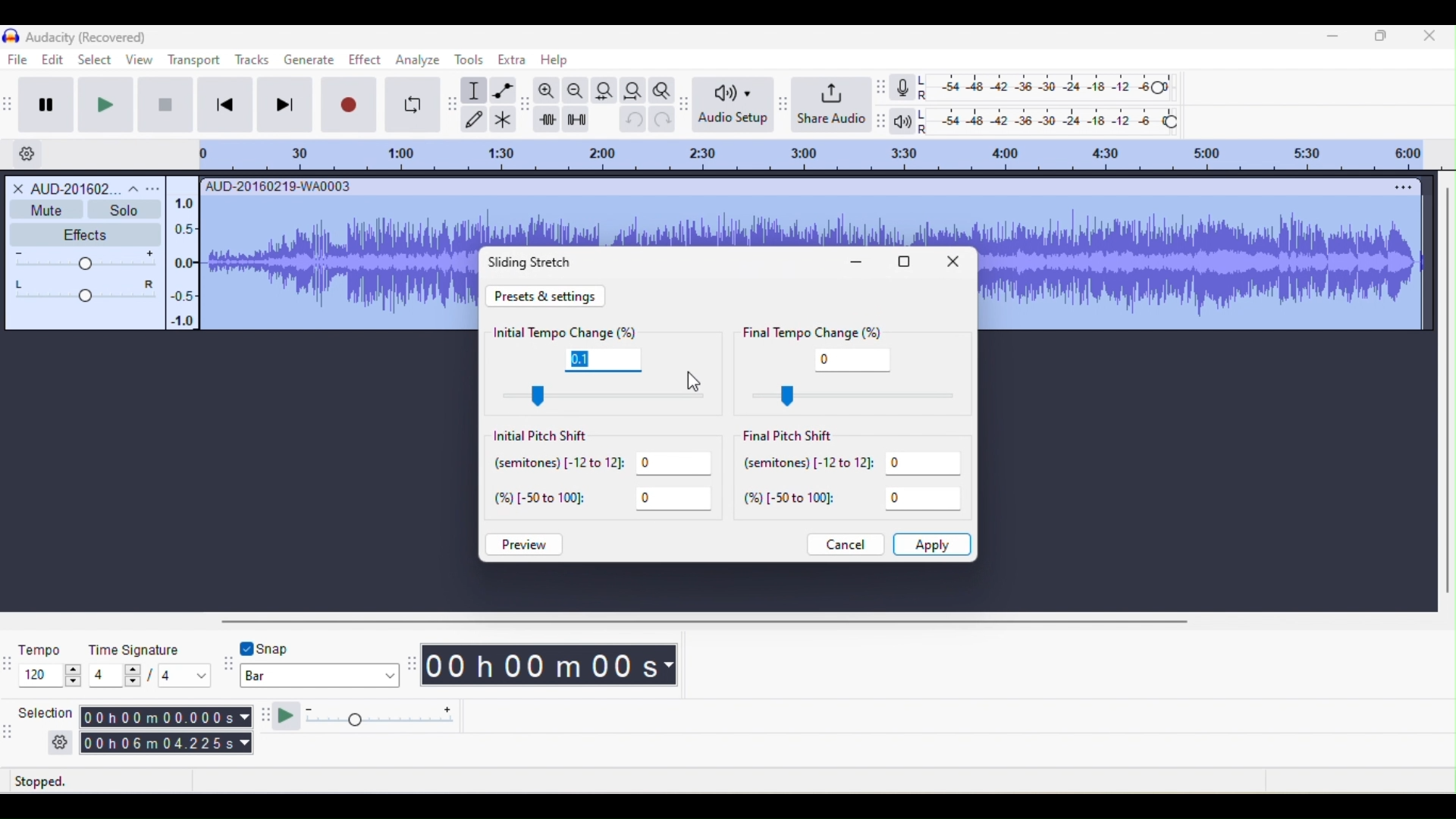 The image size is (1456, 819). I want to click on share audio, so click(832, 102).